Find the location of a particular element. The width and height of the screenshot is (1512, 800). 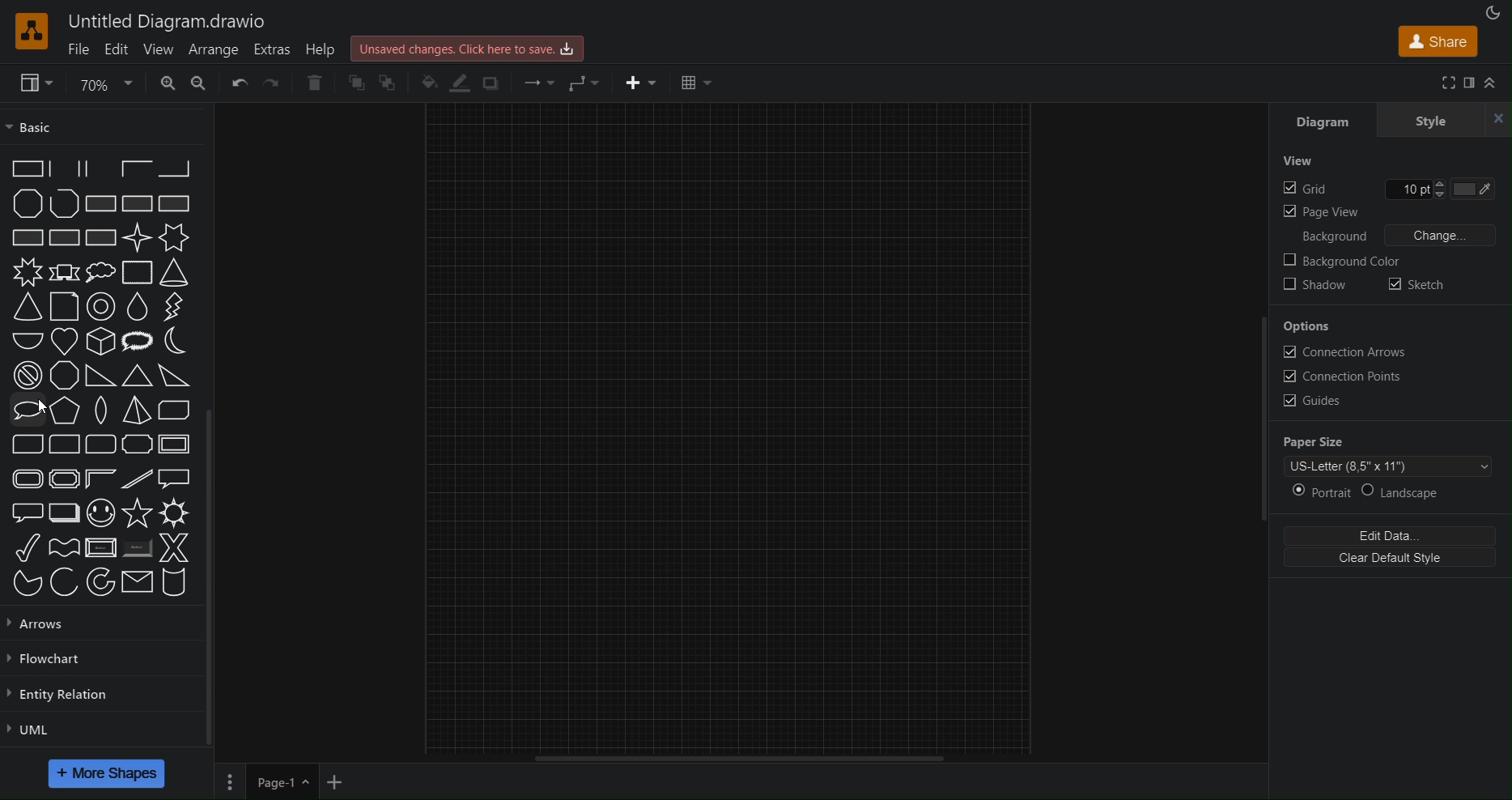

Corner Rounded Rectangle is located at coordinates (65, 444).